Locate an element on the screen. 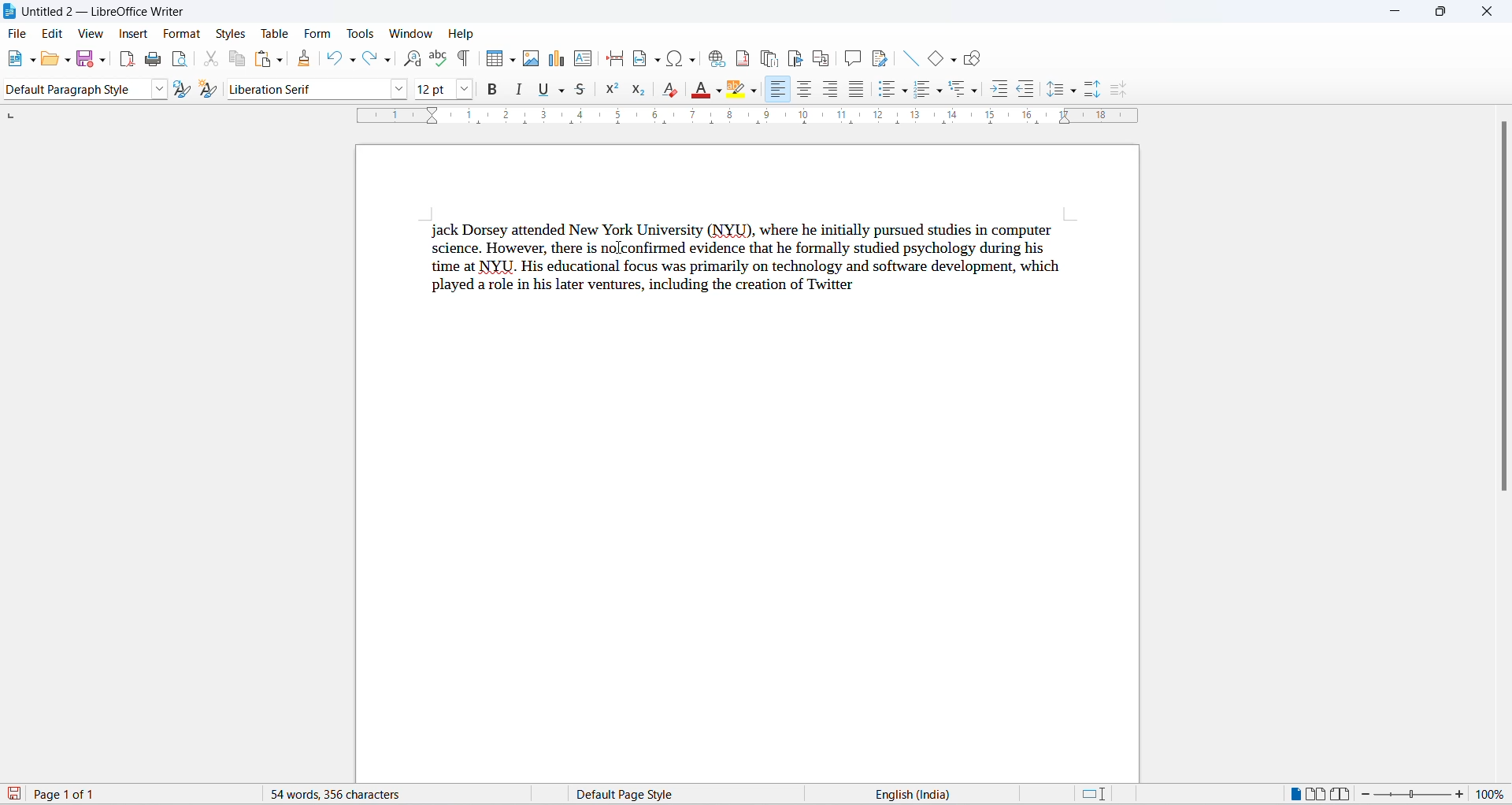 The width and height of the screenshot is (1512, 805). new file is located at coordinates (17, 58).